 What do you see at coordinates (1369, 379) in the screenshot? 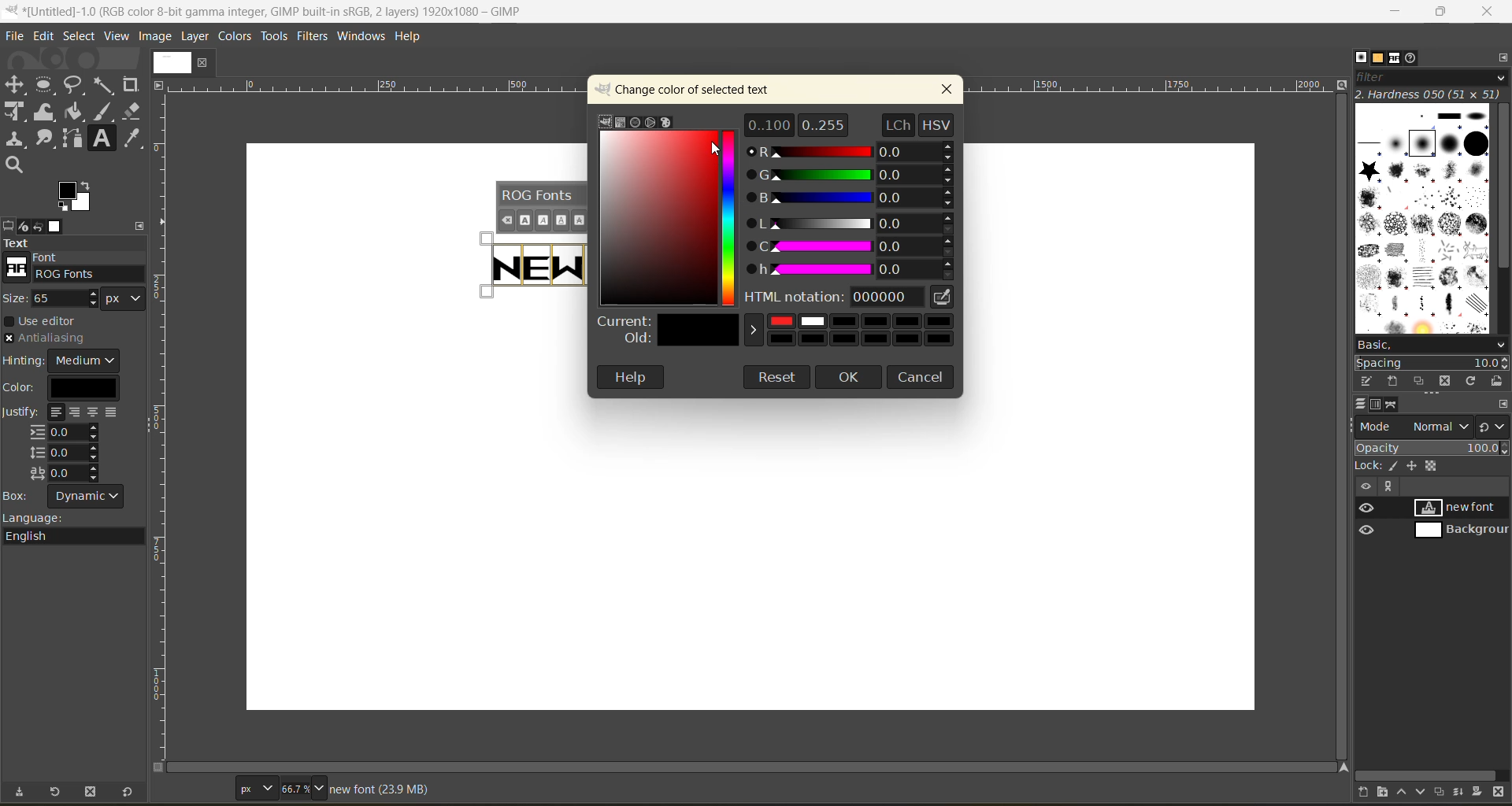
I see `edit this brush` at bounding box center [1369, 379].